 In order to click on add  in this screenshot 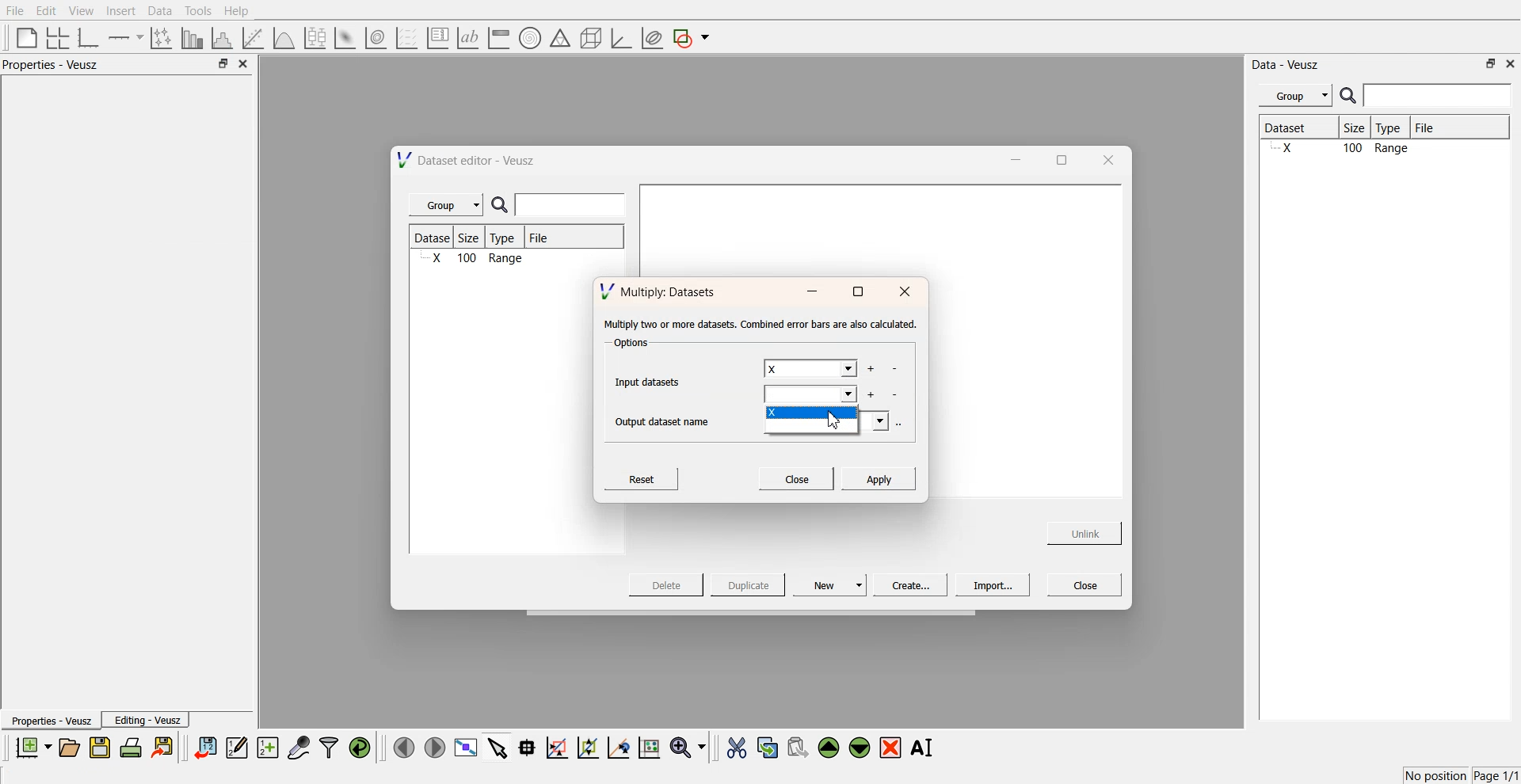, I will do `click(870, 394)`.